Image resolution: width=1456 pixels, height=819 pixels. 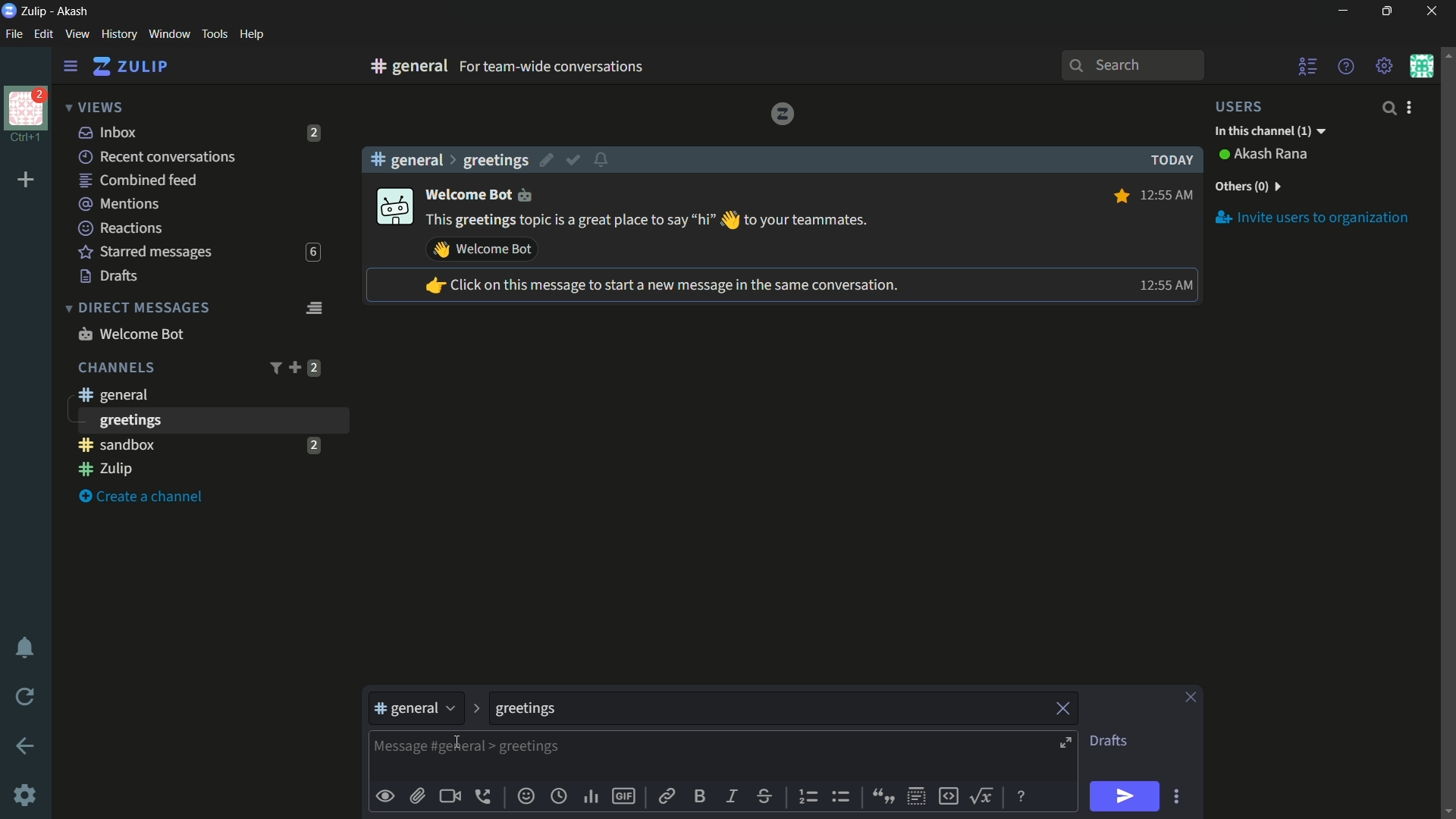 I want to click on direct message feed, so click(x=313, y=306).